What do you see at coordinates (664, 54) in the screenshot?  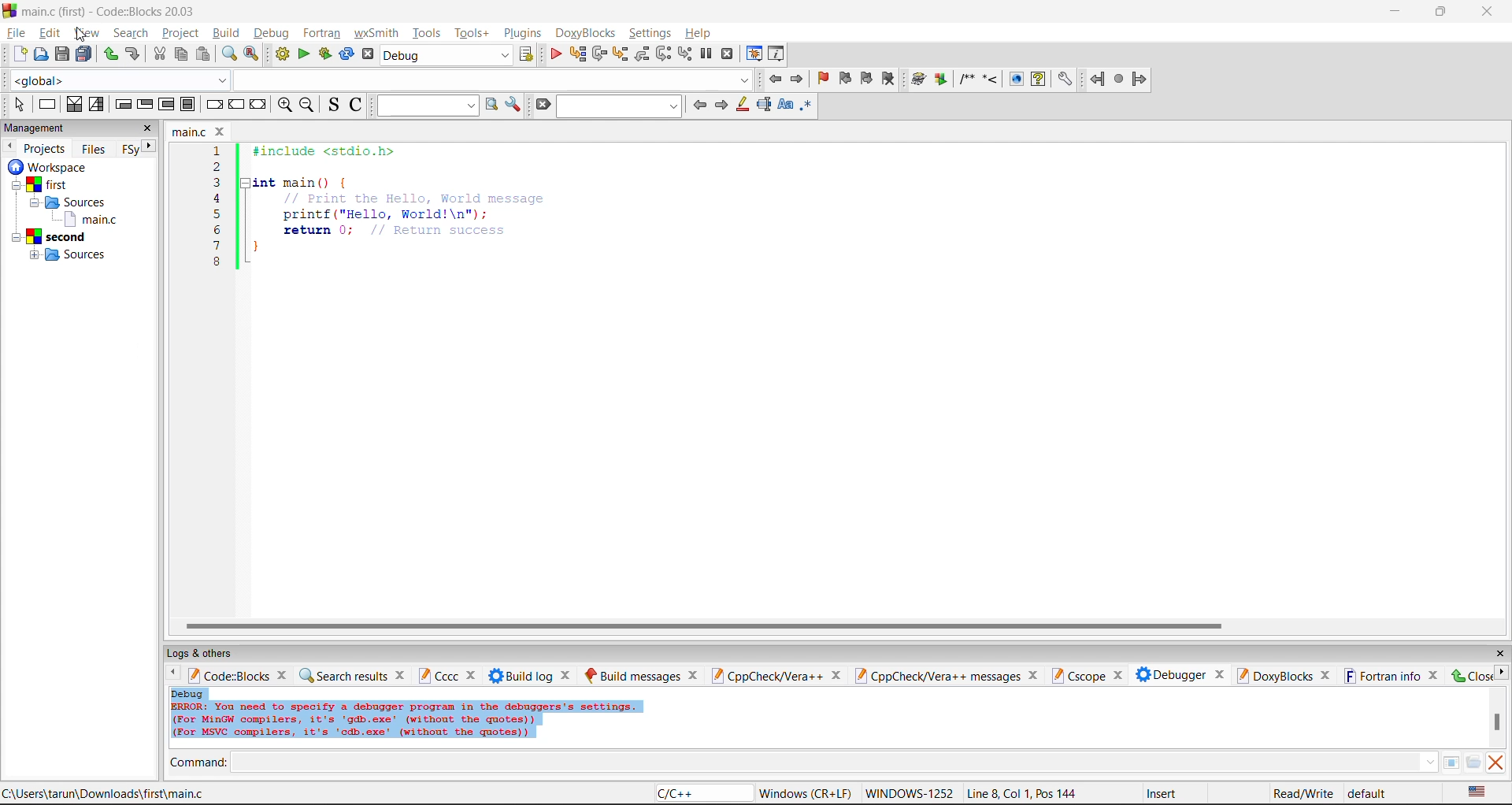 I see `next instruction` at bounding box center [664, 54].